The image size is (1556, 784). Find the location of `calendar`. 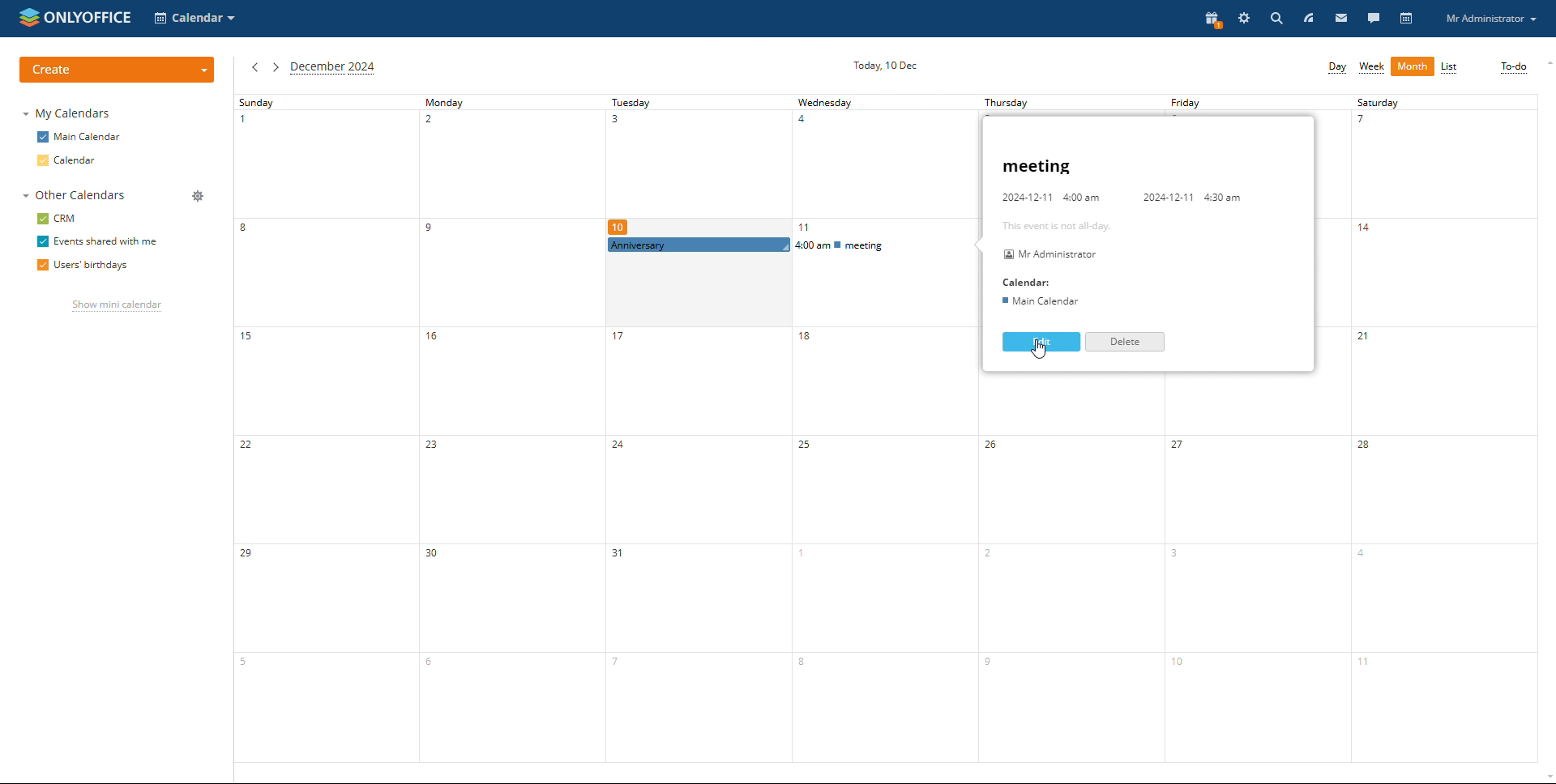

calendar is located at coordinates (1028, 282).